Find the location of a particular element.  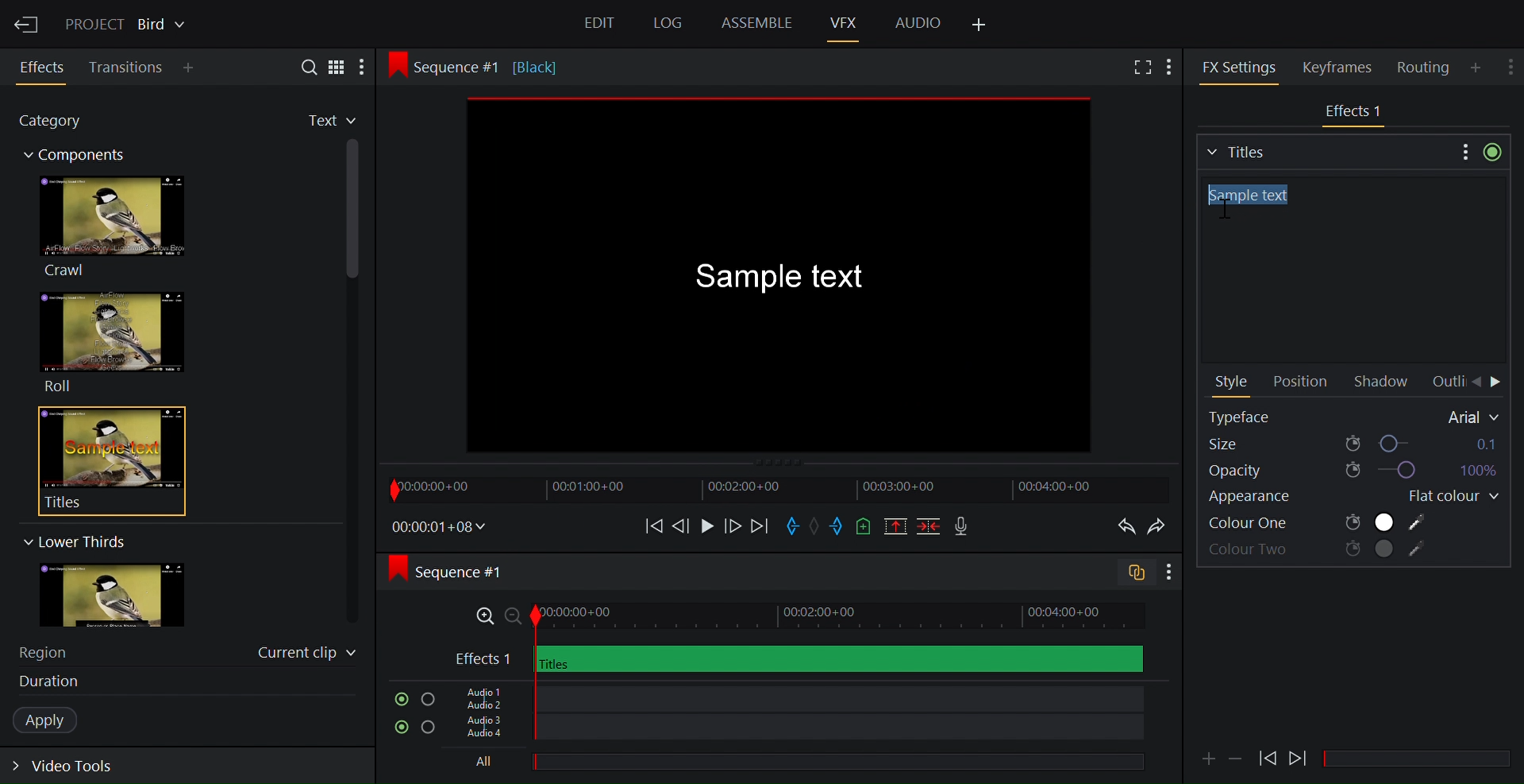

Vertical scroll bar is located at coordinates (354, 290).